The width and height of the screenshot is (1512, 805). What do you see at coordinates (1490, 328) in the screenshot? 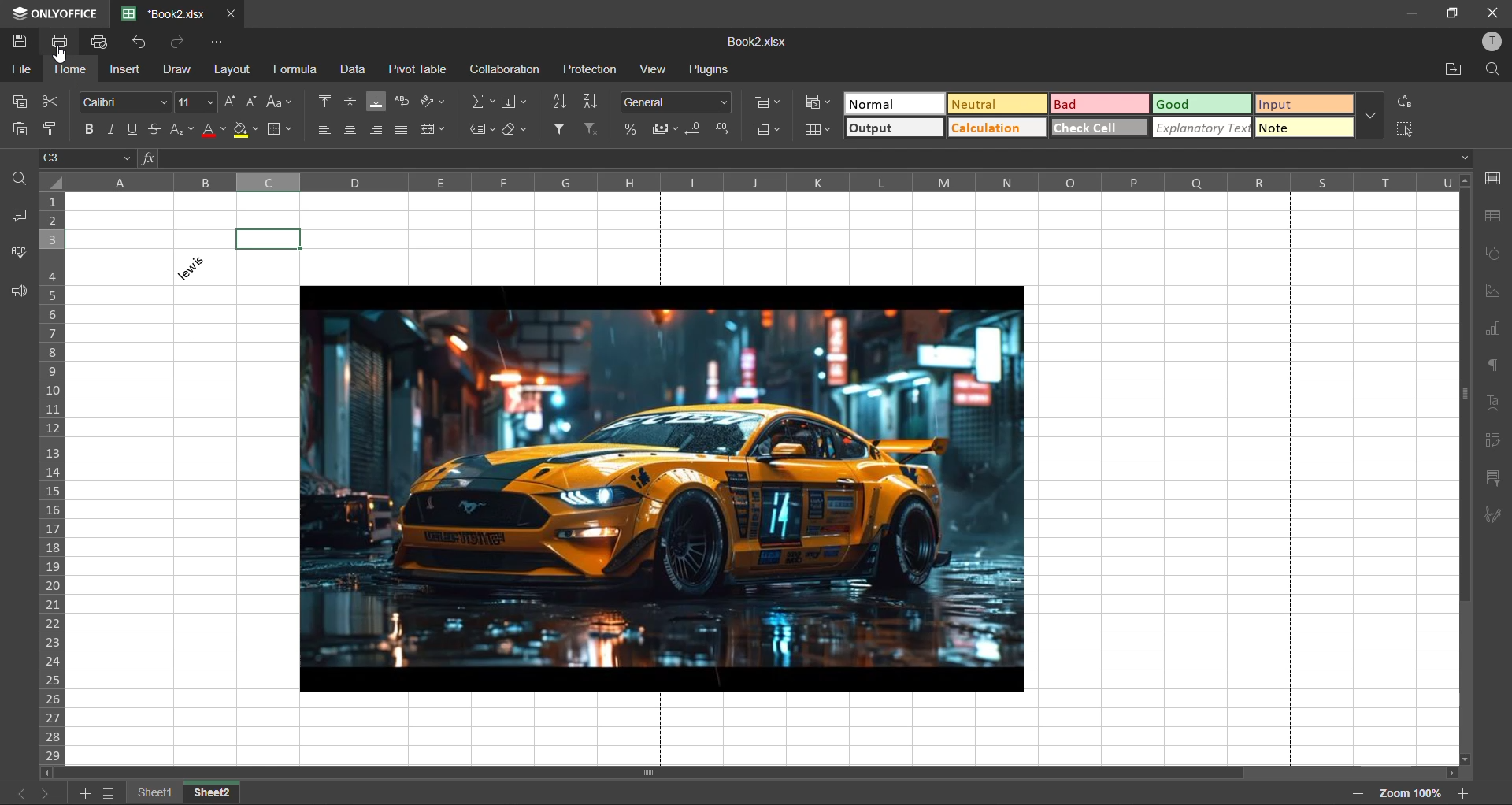
I see `charts` at bounding box center [1490, 328].